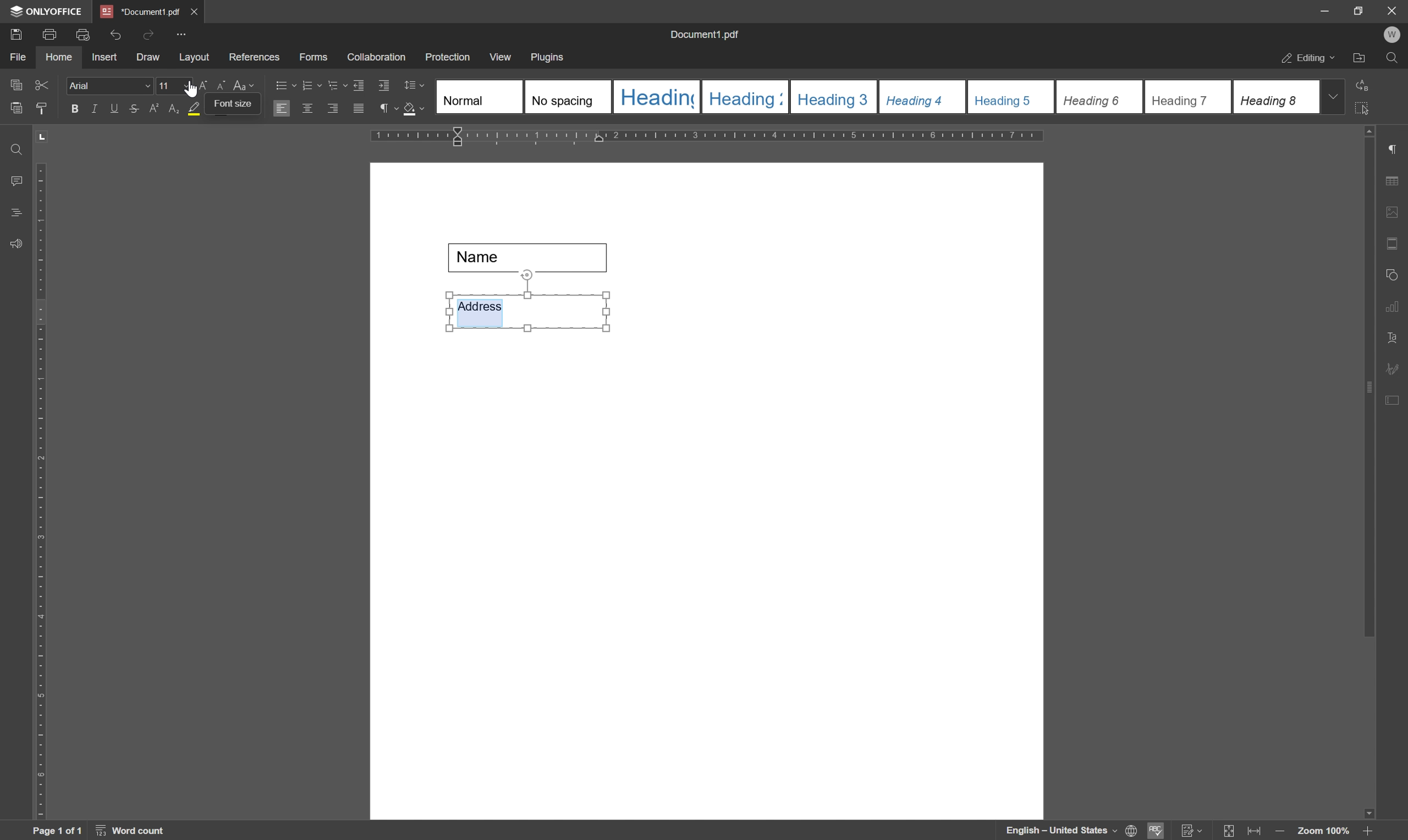  What do you see at coordinates (71, 109) in the screenshot?
I see `bold` at bounding box center [71, 109].